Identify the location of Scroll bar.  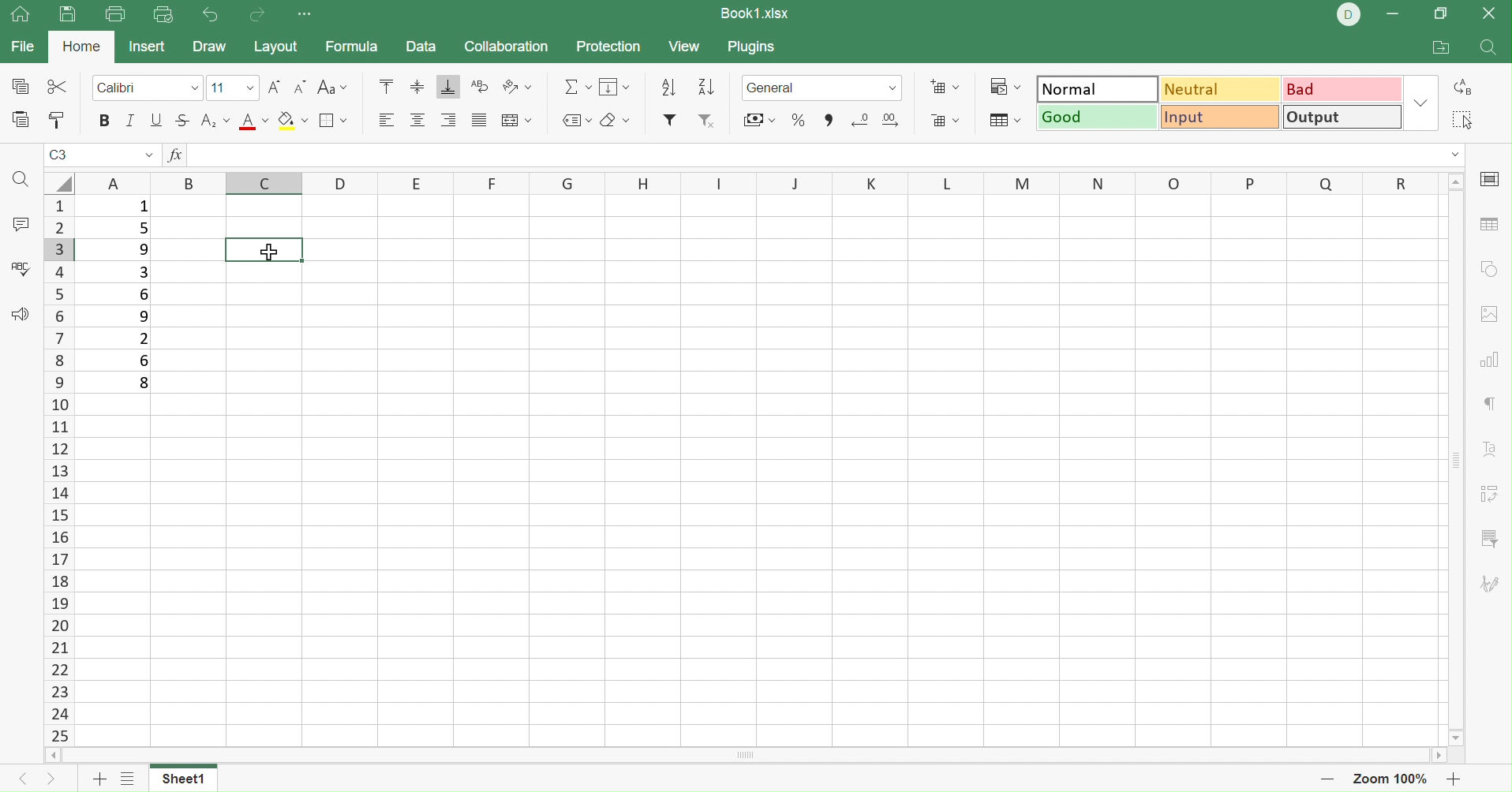
(1456, 458).